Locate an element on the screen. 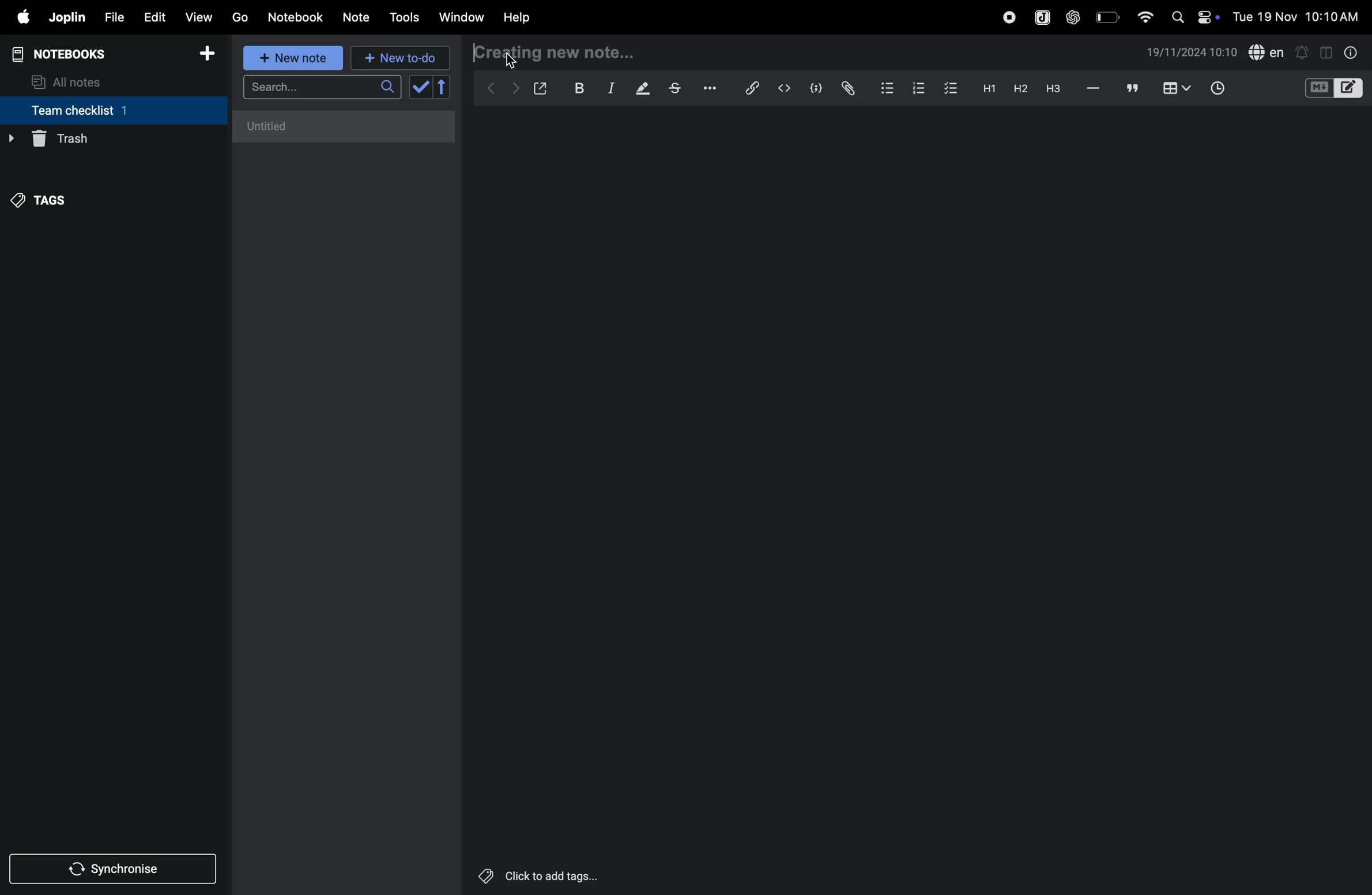 This screenshot has height=895, width=1372. untitled is located at coordinates (348, 123).